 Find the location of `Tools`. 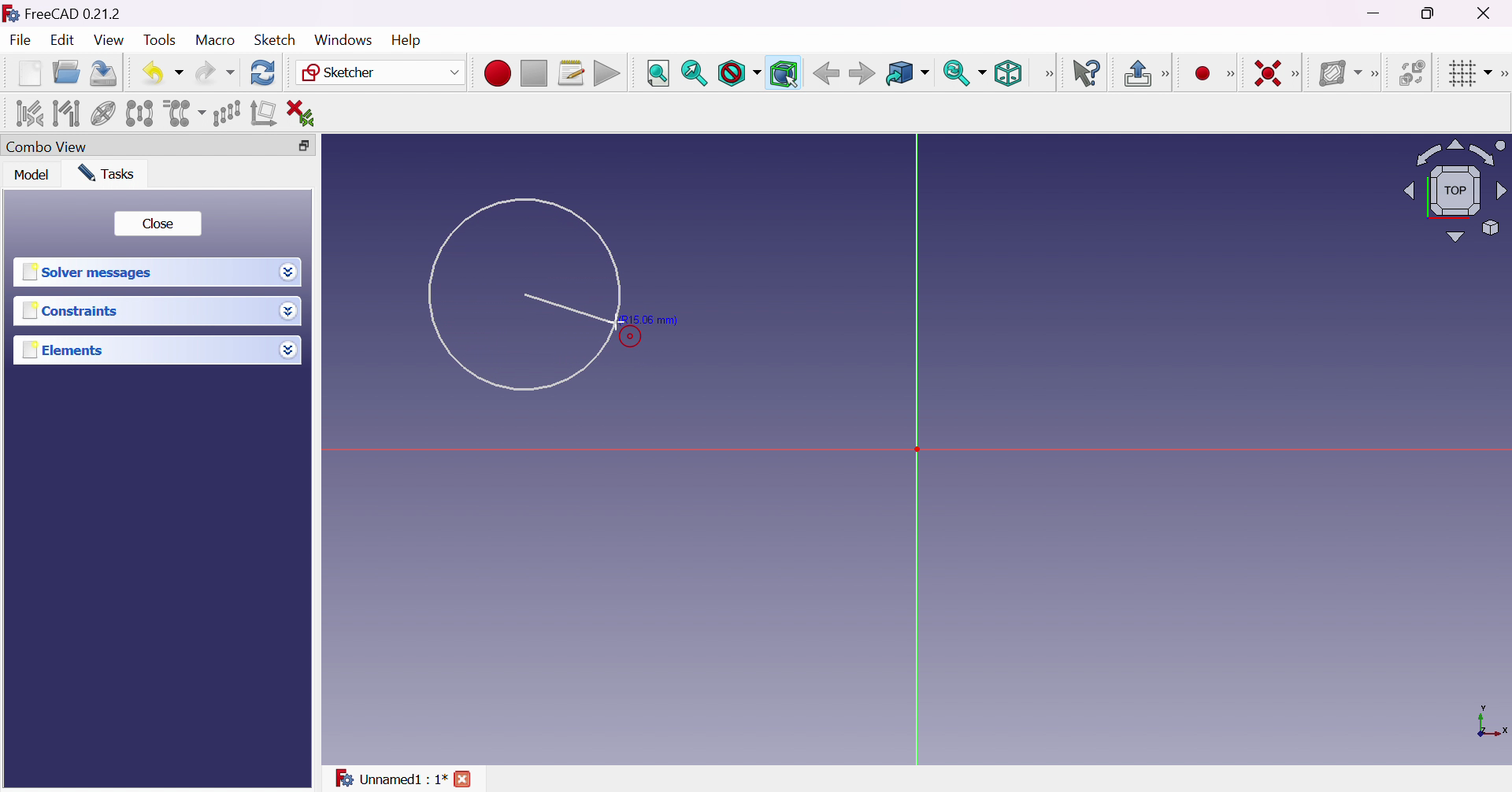

Tools is located at coordinates (161, 40).